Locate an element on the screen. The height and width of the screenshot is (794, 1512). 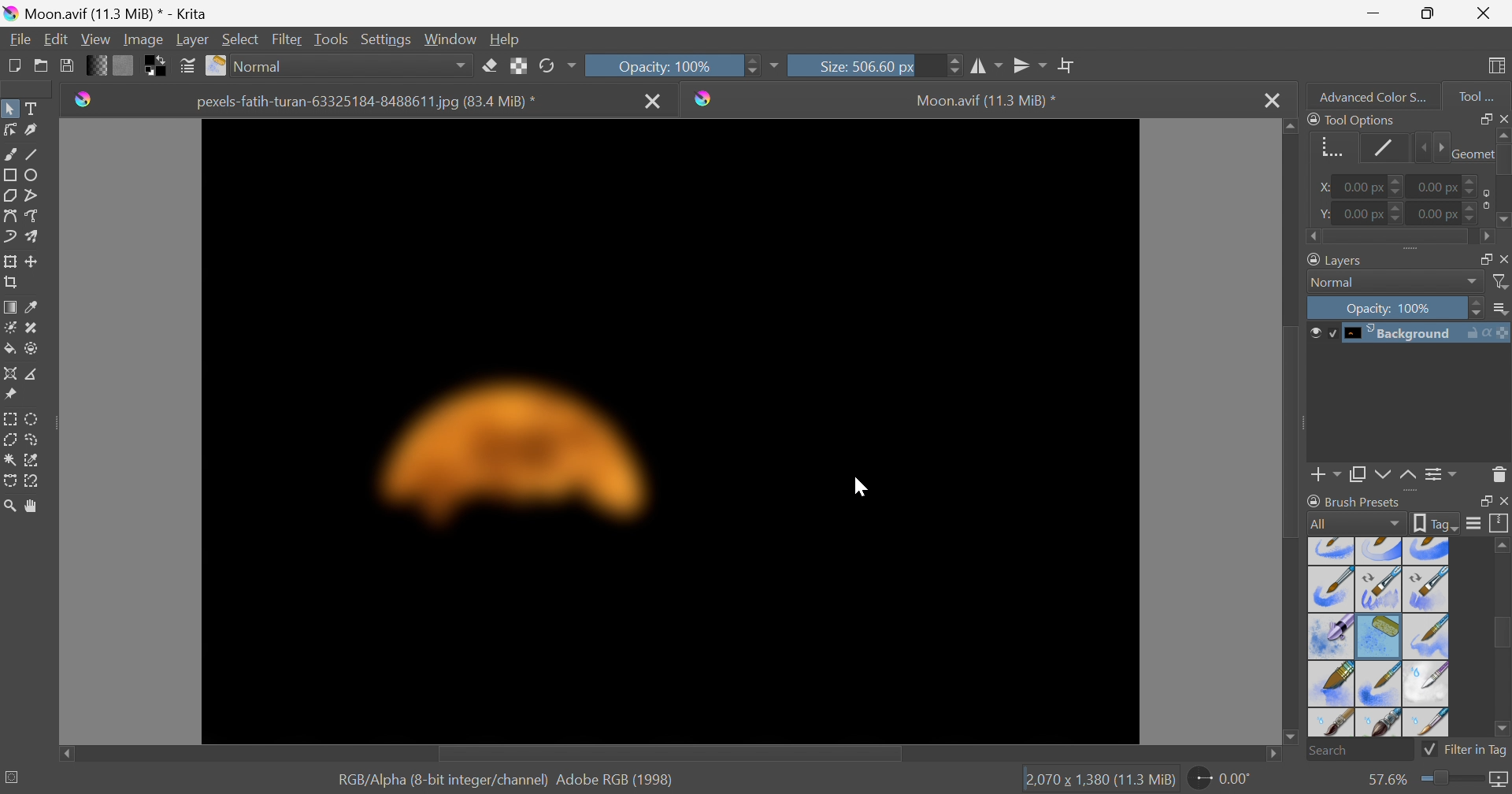
Image is located at coordinates (670, 432).